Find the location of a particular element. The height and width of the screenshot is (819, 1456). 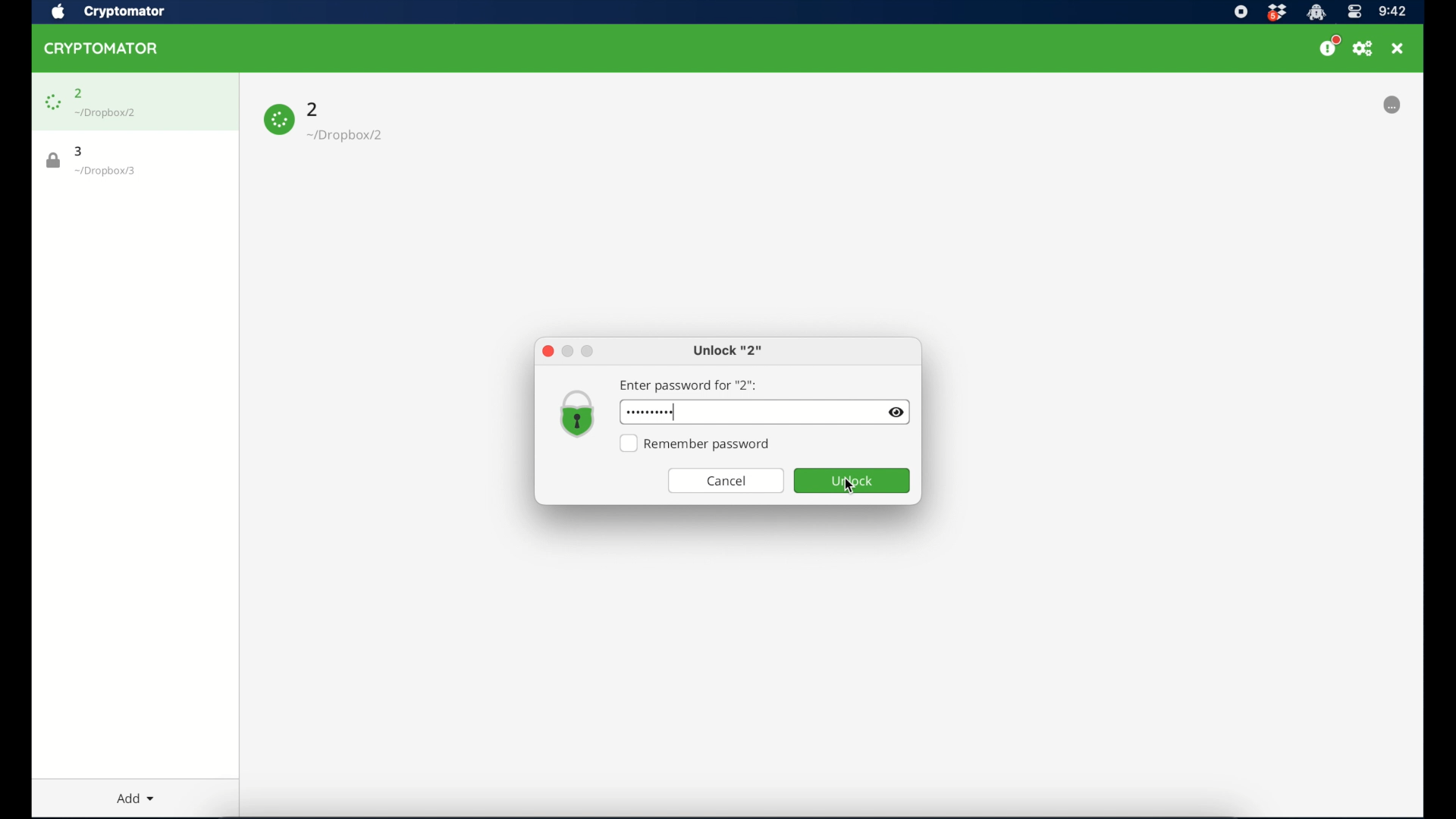

visibility toggle is located at coordinates (897, 413).